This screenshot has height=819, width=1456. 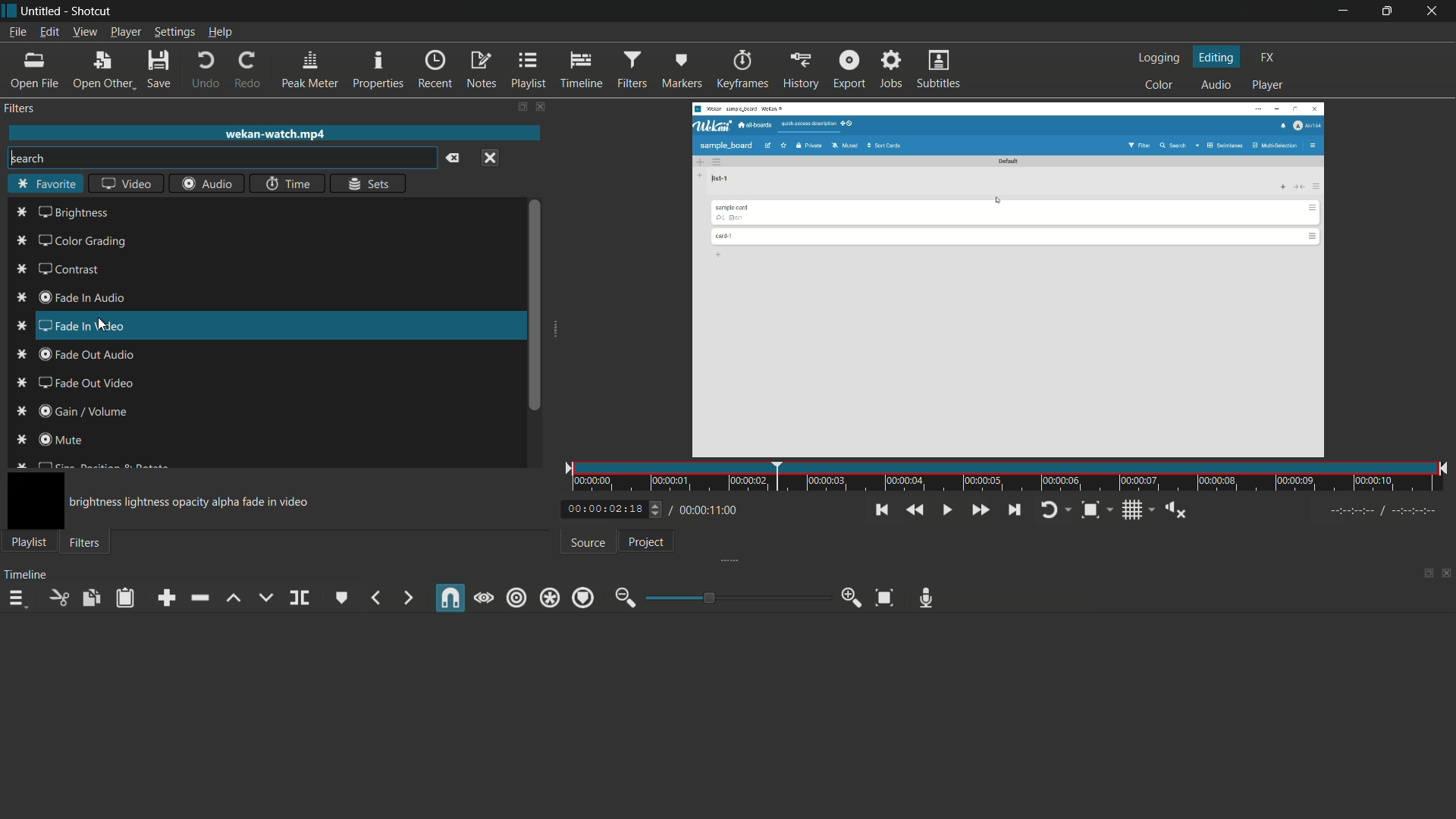 I want to click on sets, so click(x=370, y=184).